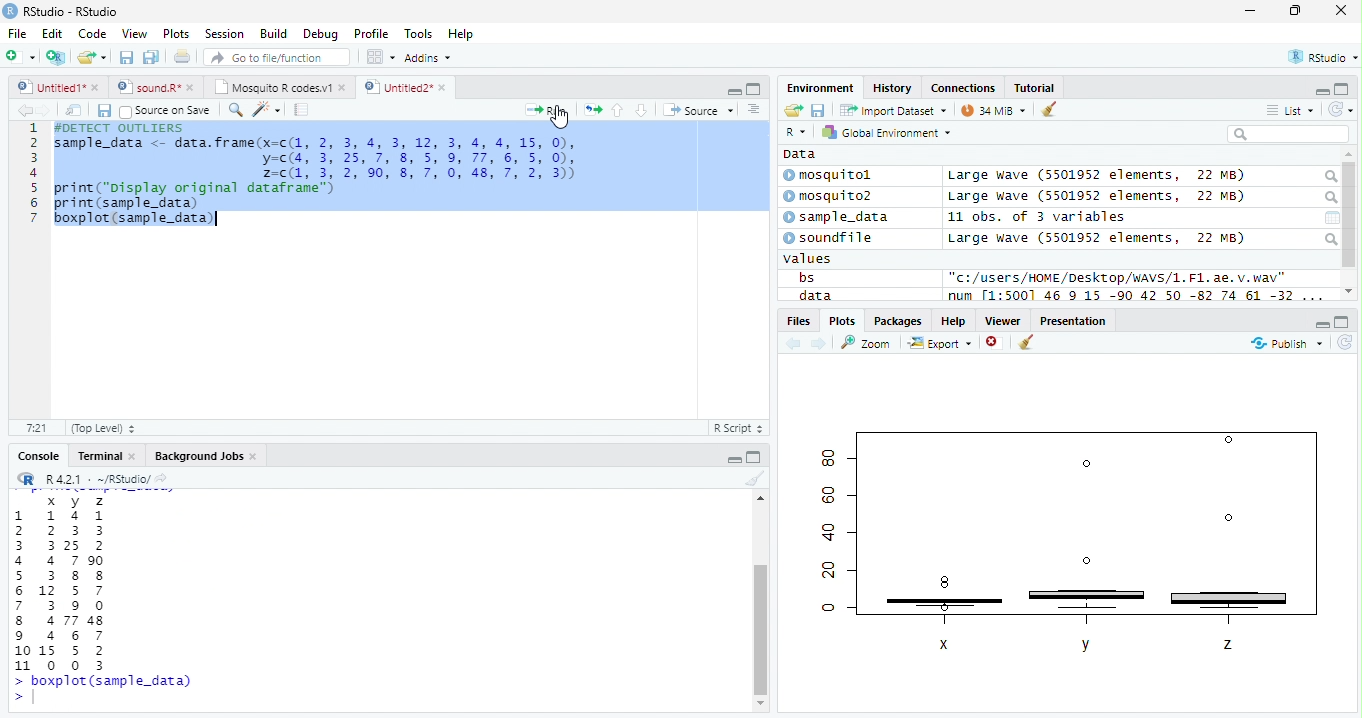 The image size is (1362, 718). What do you see at coordinates (838, 218) in the screenshot?
I see `sample_data` at bounding box center [838, 218].